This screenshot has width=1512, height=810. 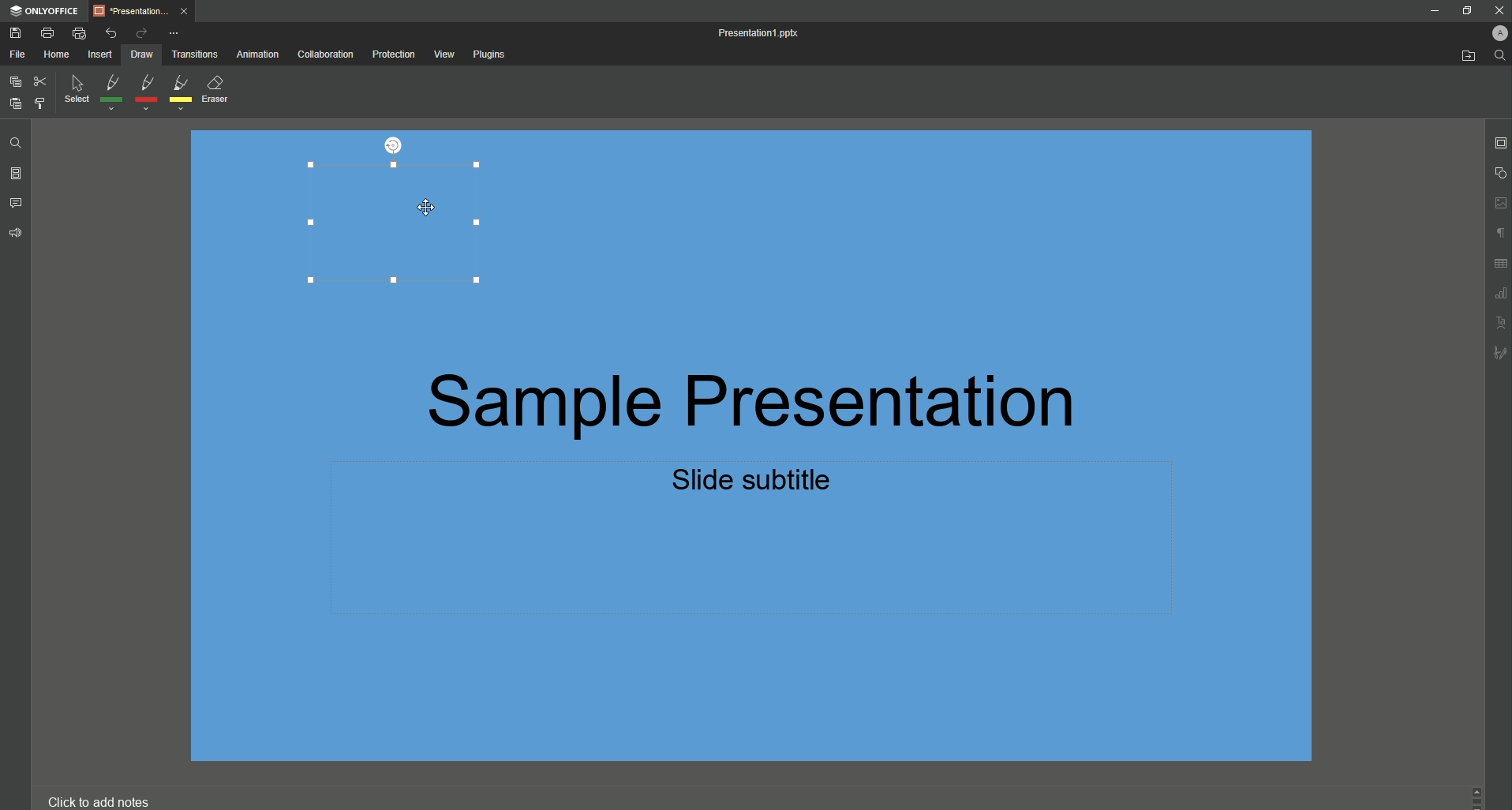 I want to click on Open From Fil, so click(x=1470, y=58).